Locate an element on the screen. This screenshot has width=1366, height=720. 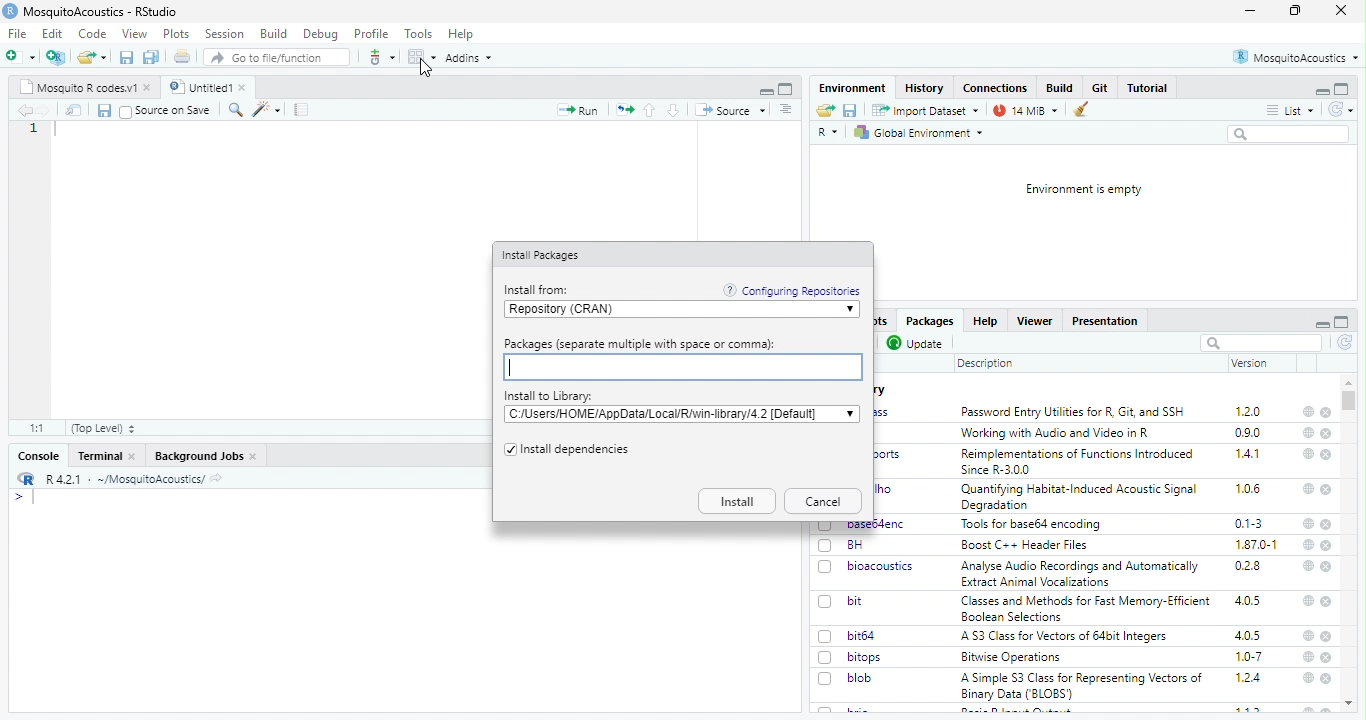
Bitwise Operations is located at coordinates (1013, 658).